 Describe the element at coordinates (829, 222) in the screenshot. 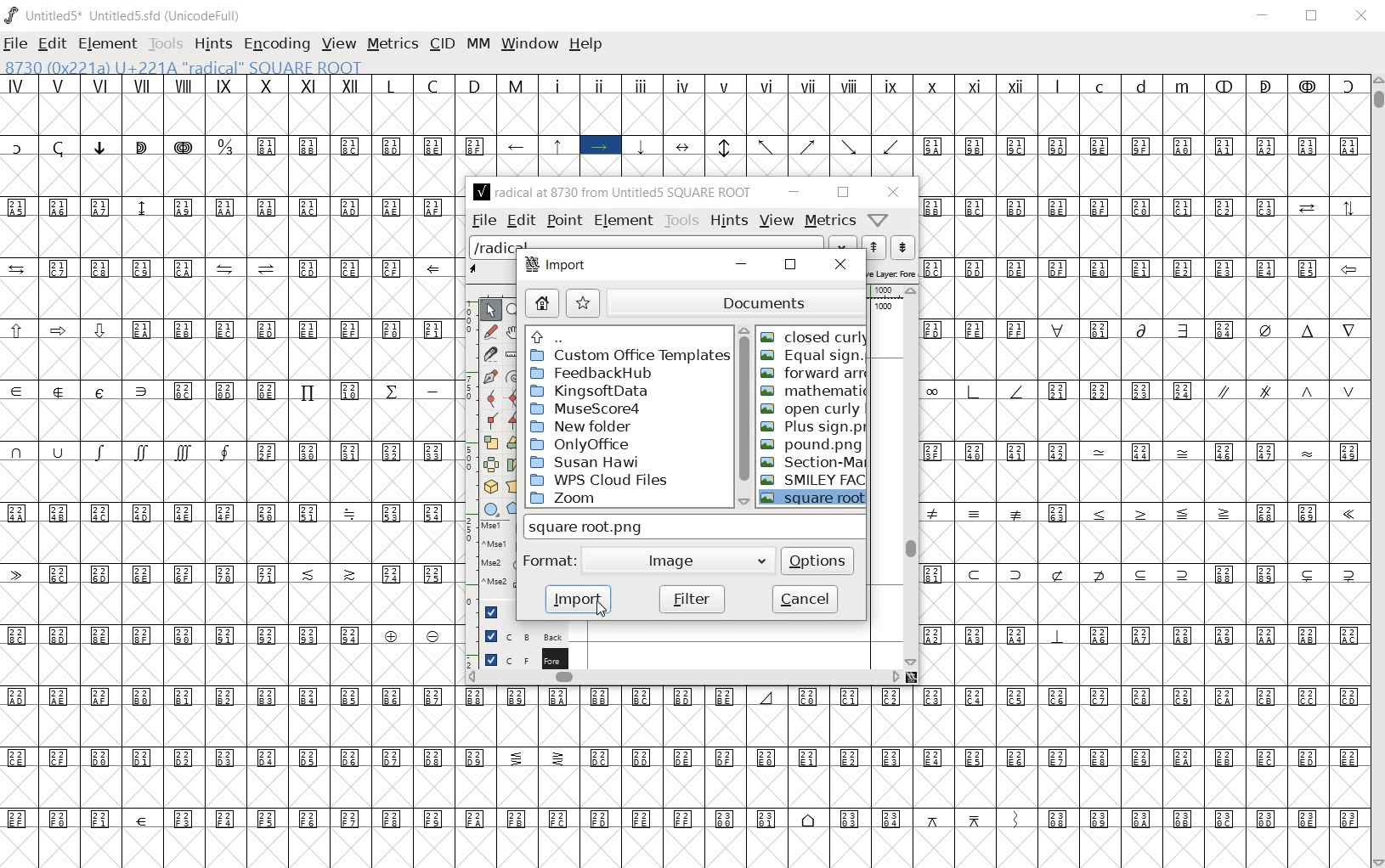

I see `metrics` at that location.